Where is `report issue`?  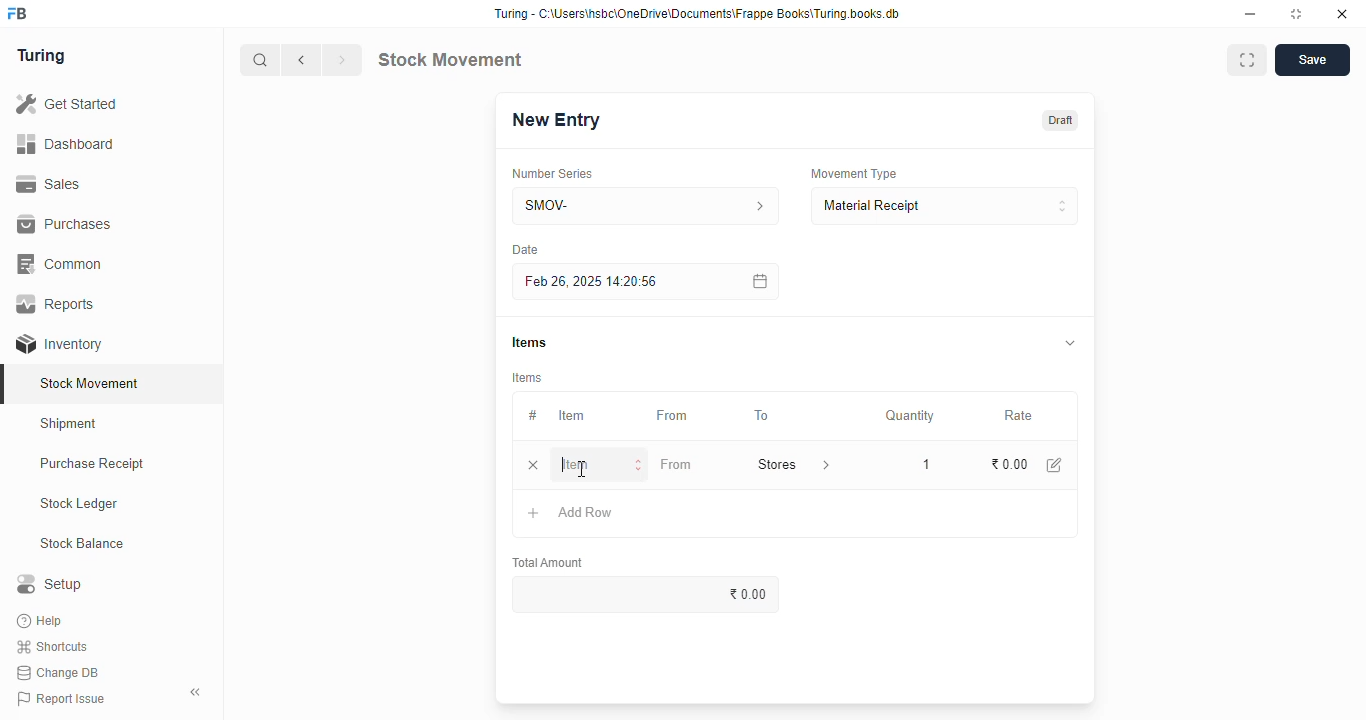
report issue is located at coordinates (61, 698).